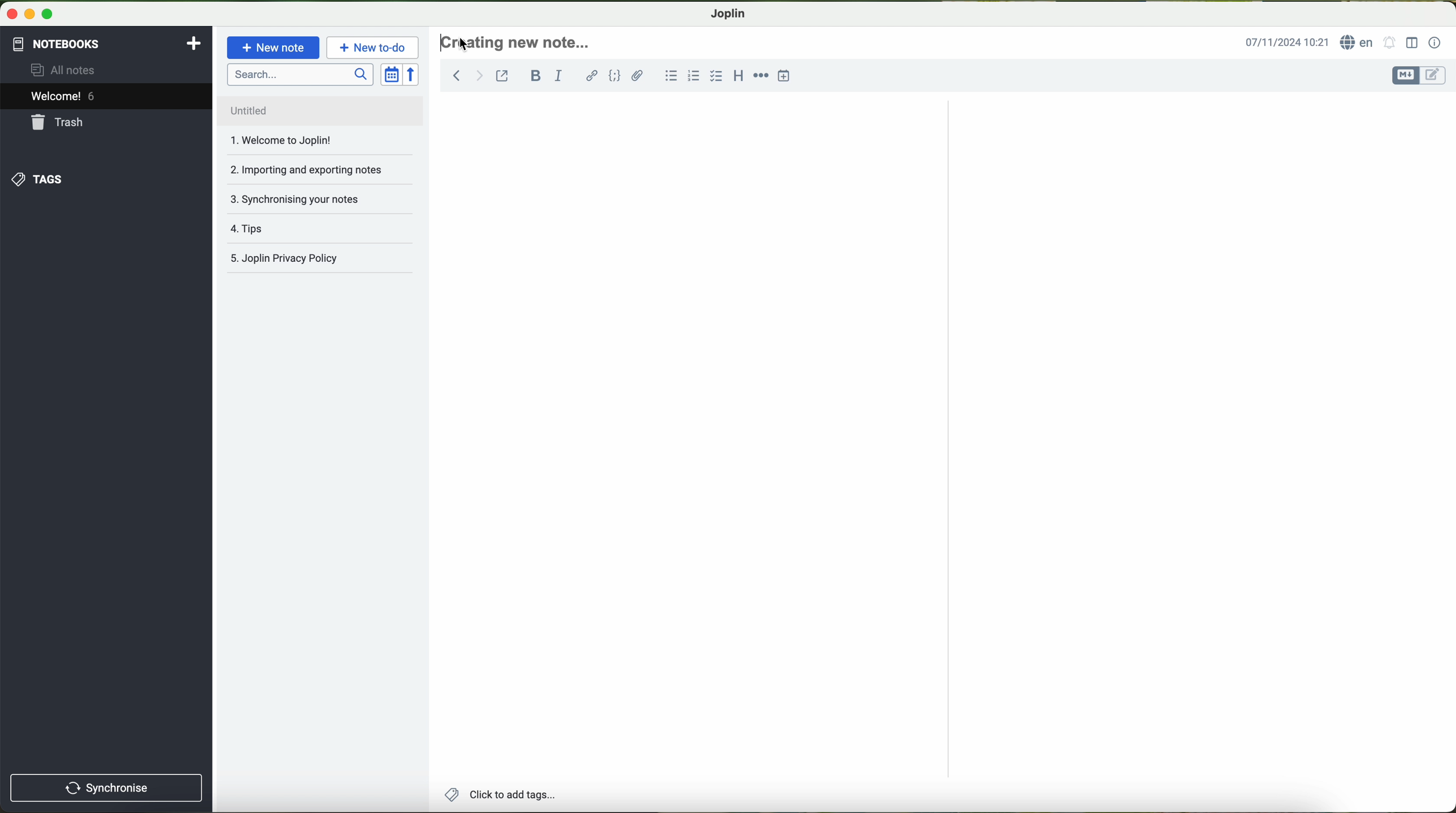  I want to click on untitled file, so click(316, 113).